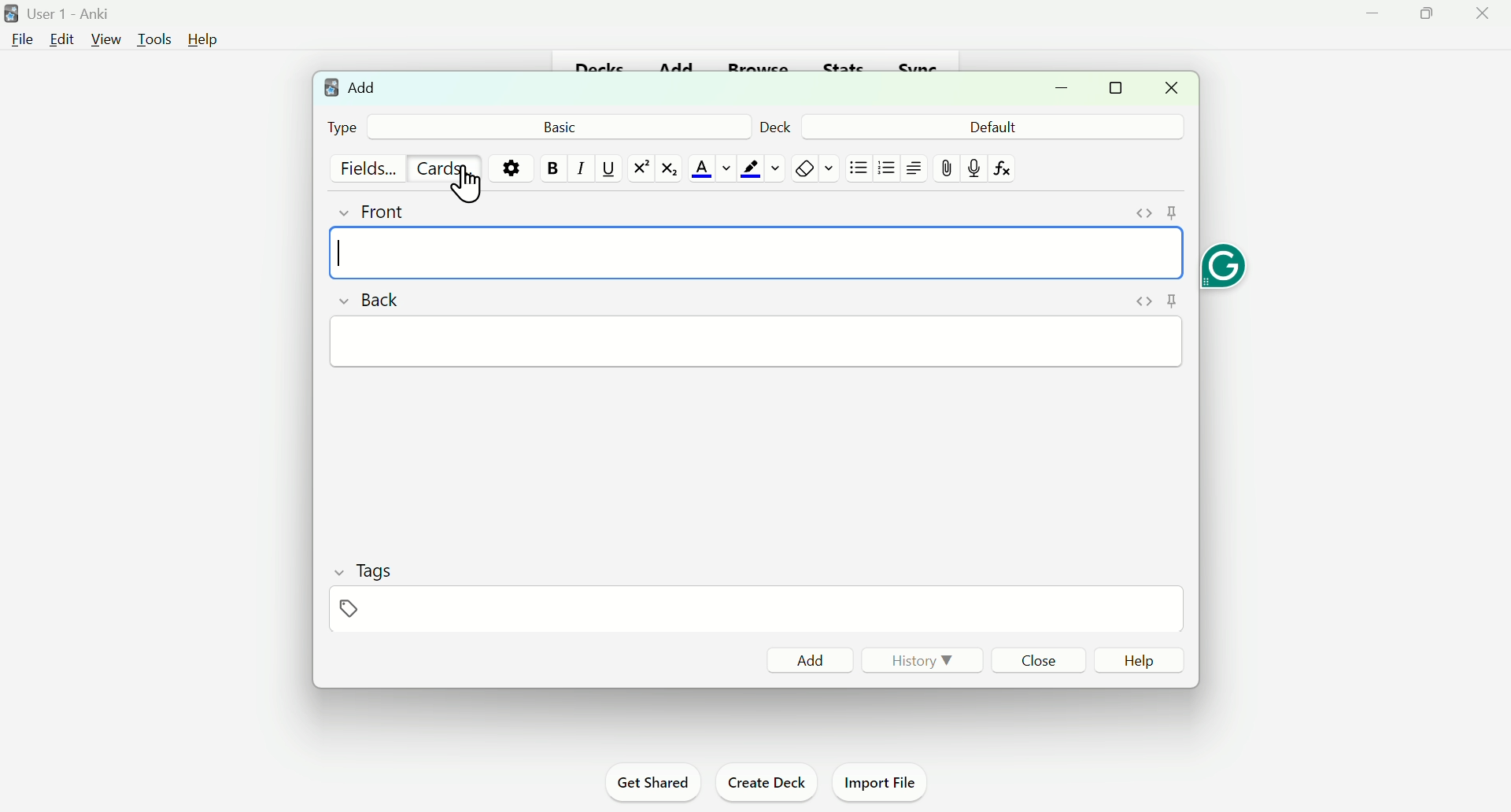  What do you see at coordinates (1061, 88) in the screenshot?
I see `minimize` at bounding box center [1061, 88].